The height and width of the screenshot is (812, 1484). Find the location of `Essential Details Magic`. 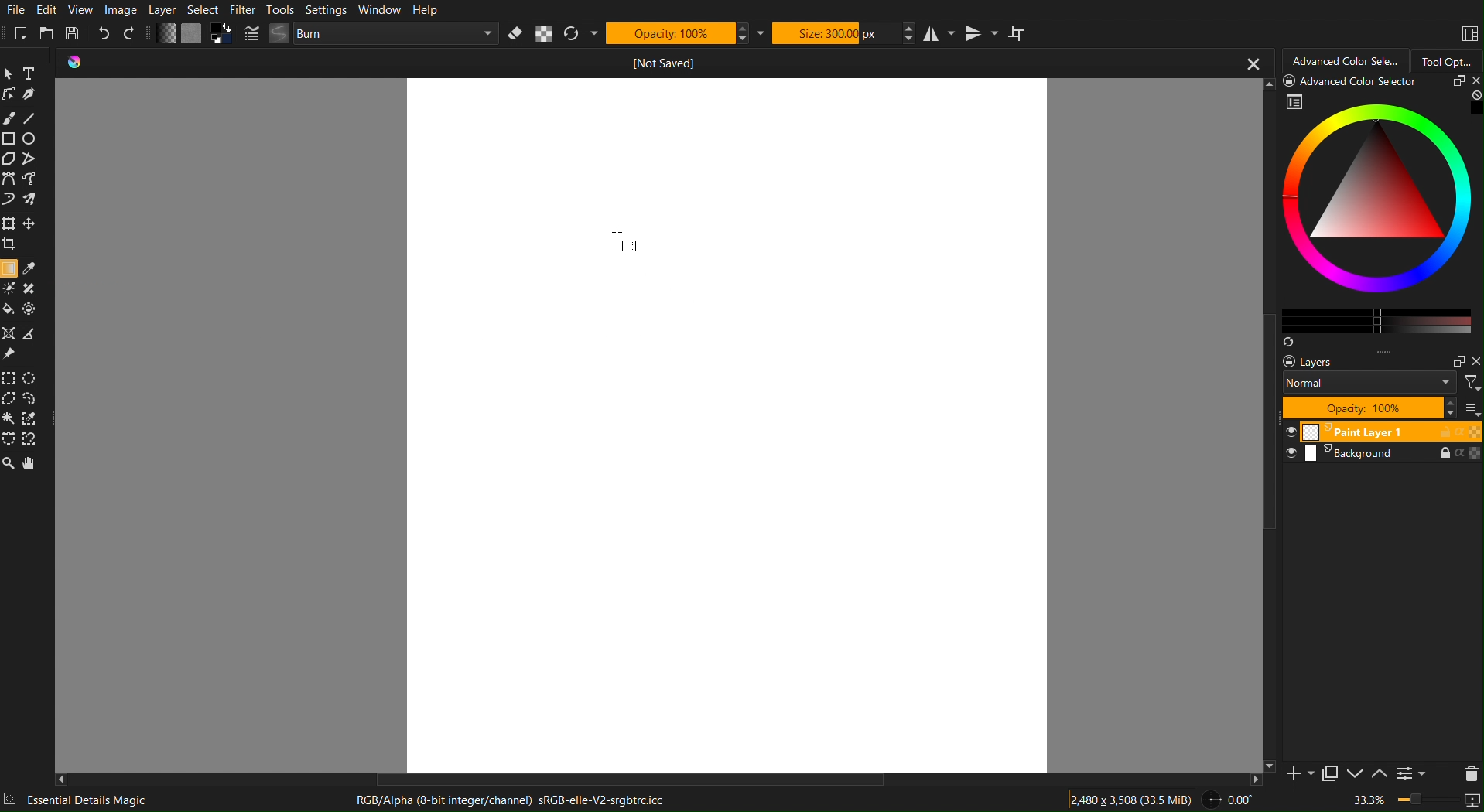

Essential Details Magic is located at coordinates (89, 800).